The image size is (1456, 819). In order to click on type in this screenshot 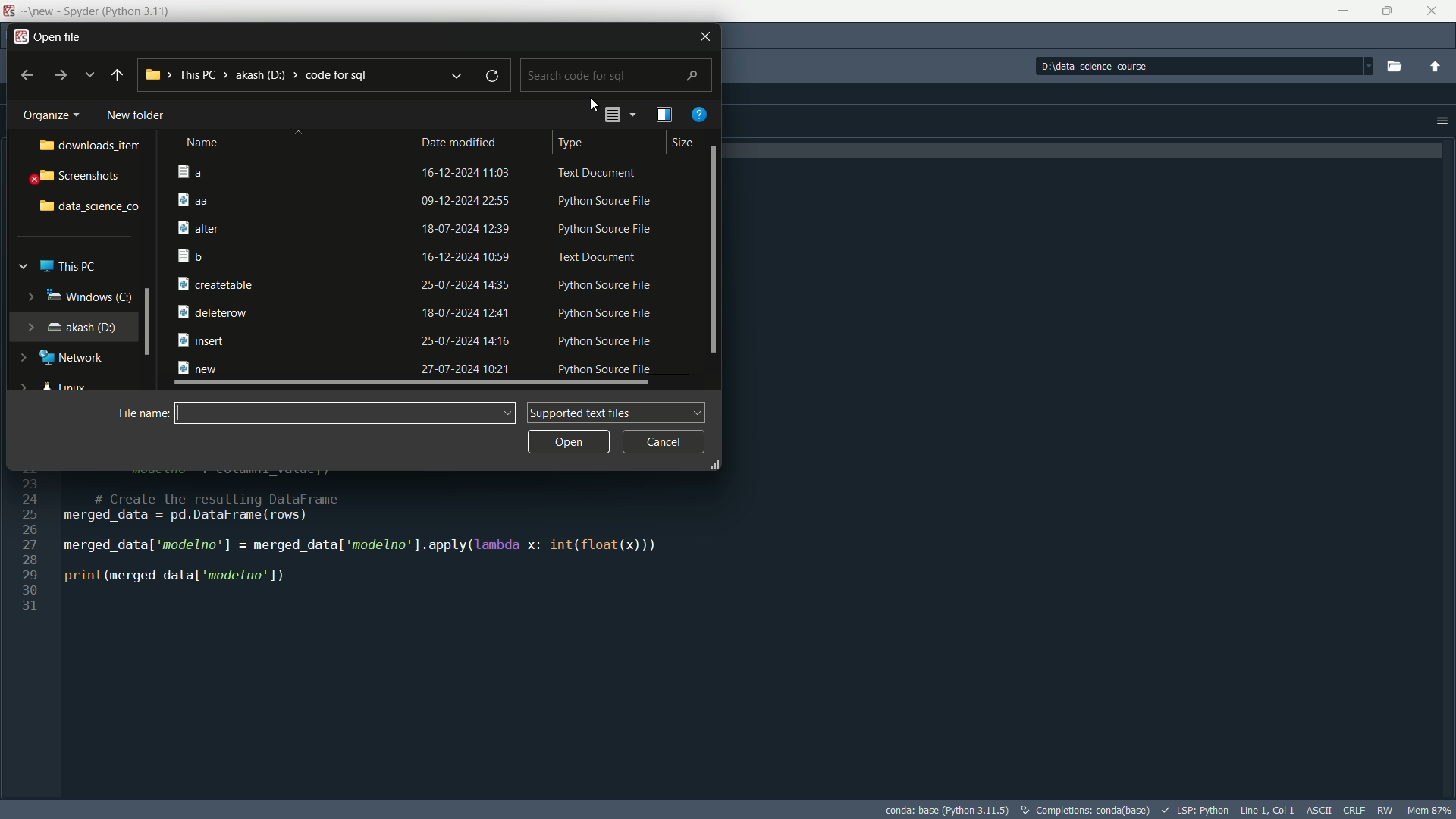, I will do `click(576, 143)`.